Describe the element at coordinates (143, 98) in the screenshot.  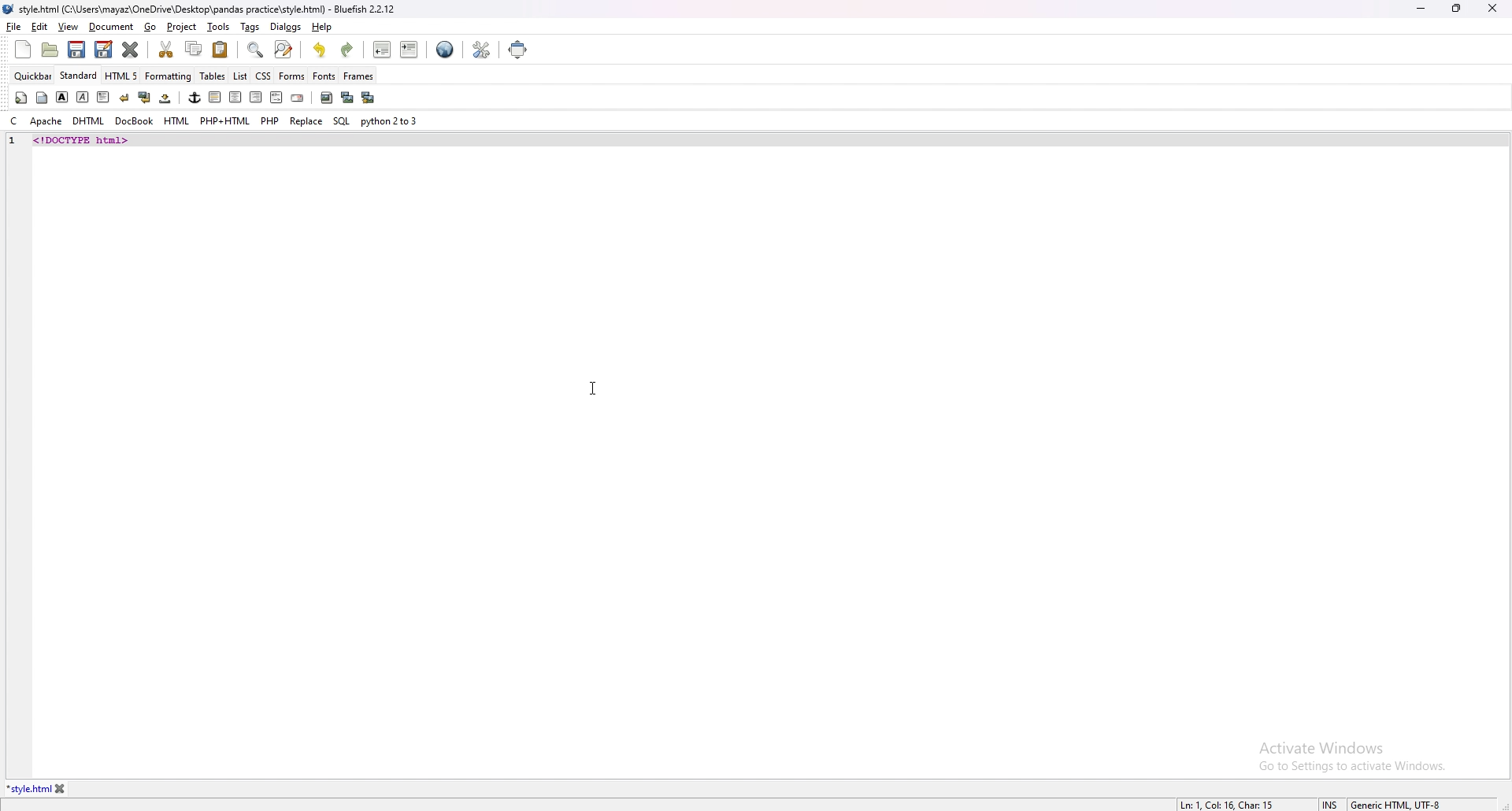
I see `break and clear` at that location.